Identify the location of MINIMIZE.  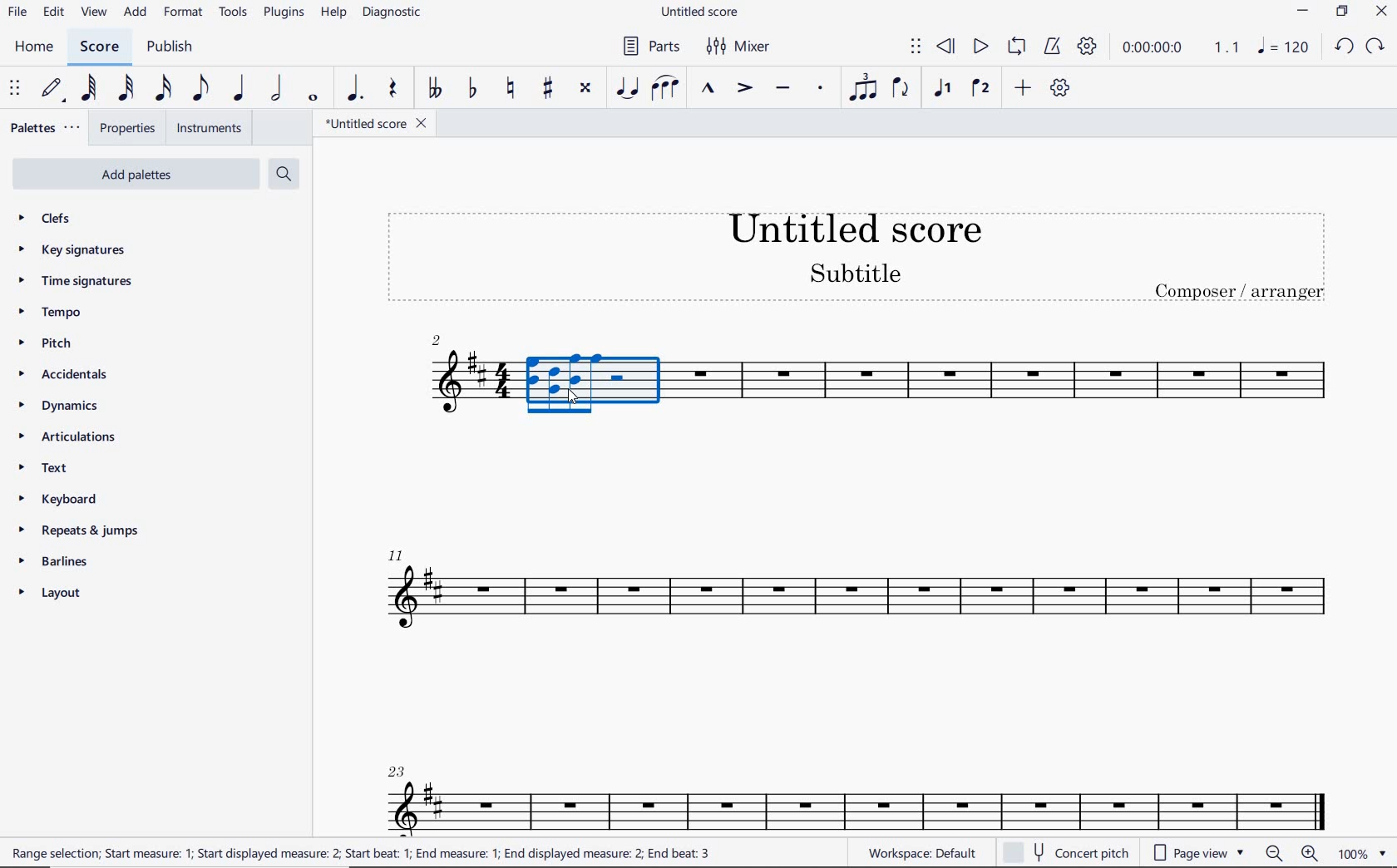
(1304, 13).